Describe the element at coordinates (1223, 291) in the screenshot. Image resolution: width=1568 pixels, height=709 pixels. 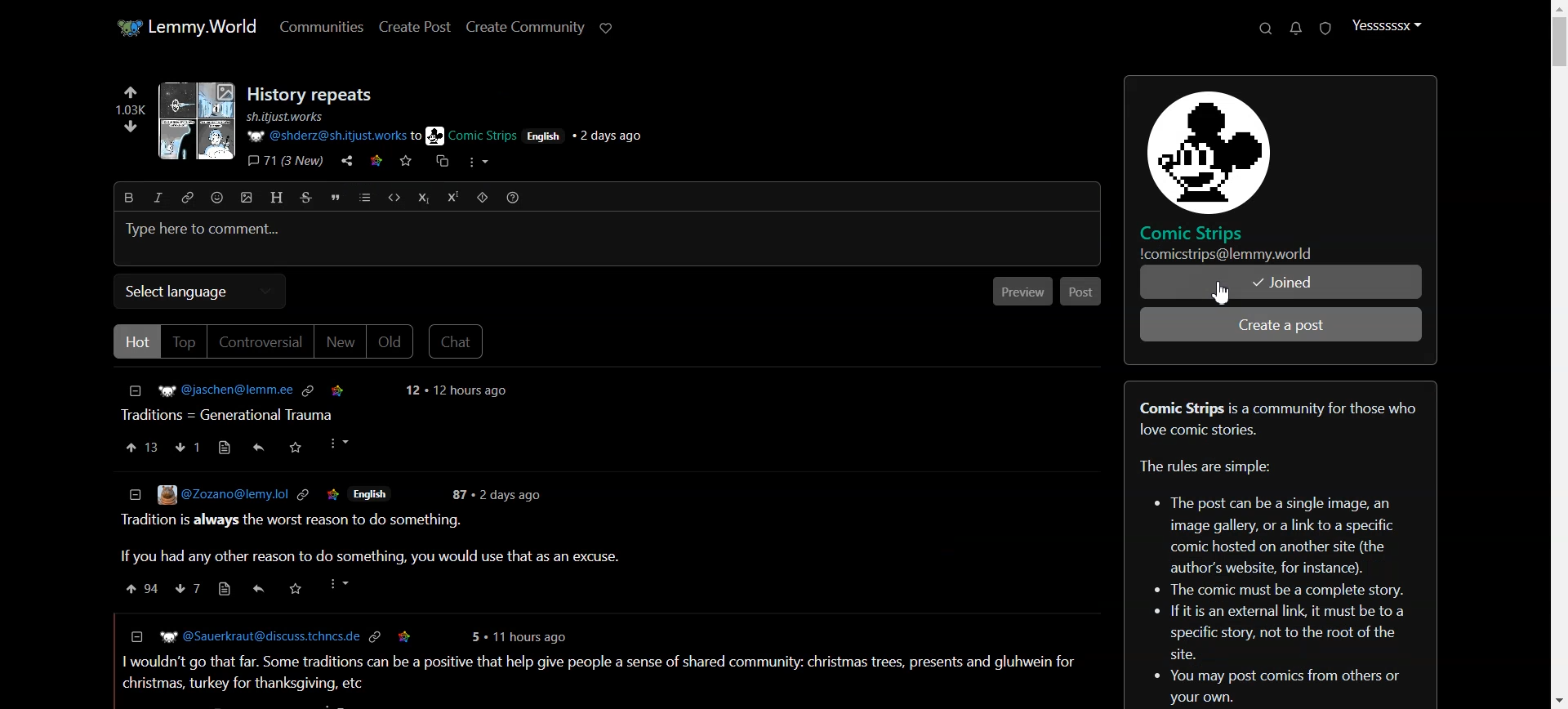
I see `Cursor` at that location.